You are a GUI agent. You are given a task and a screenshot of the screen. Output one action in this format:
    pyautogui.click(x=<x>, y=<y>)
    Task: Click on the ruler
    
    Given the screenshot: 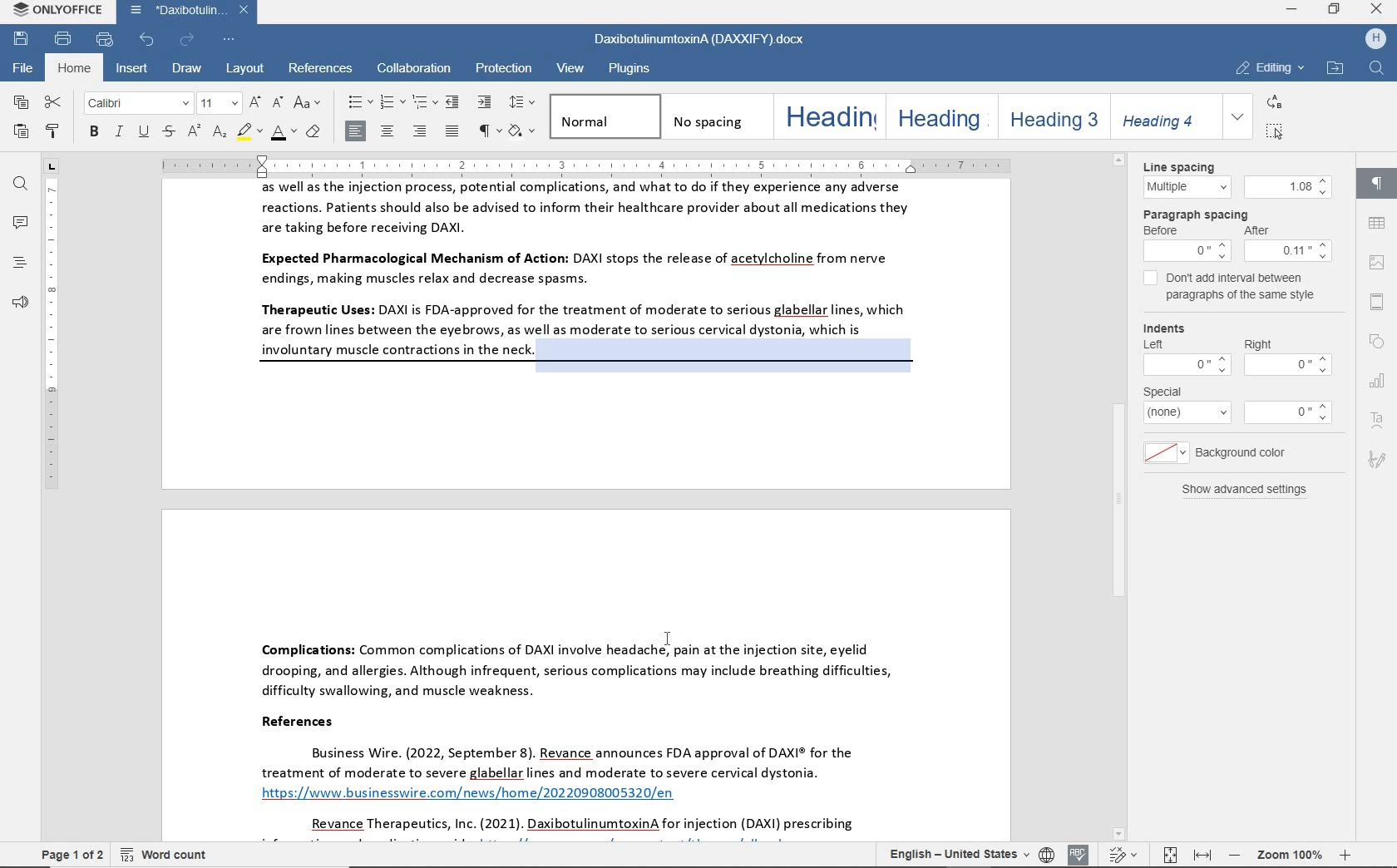 What is the action you would take?
    pyautogui.click(x=52, y=508)
    